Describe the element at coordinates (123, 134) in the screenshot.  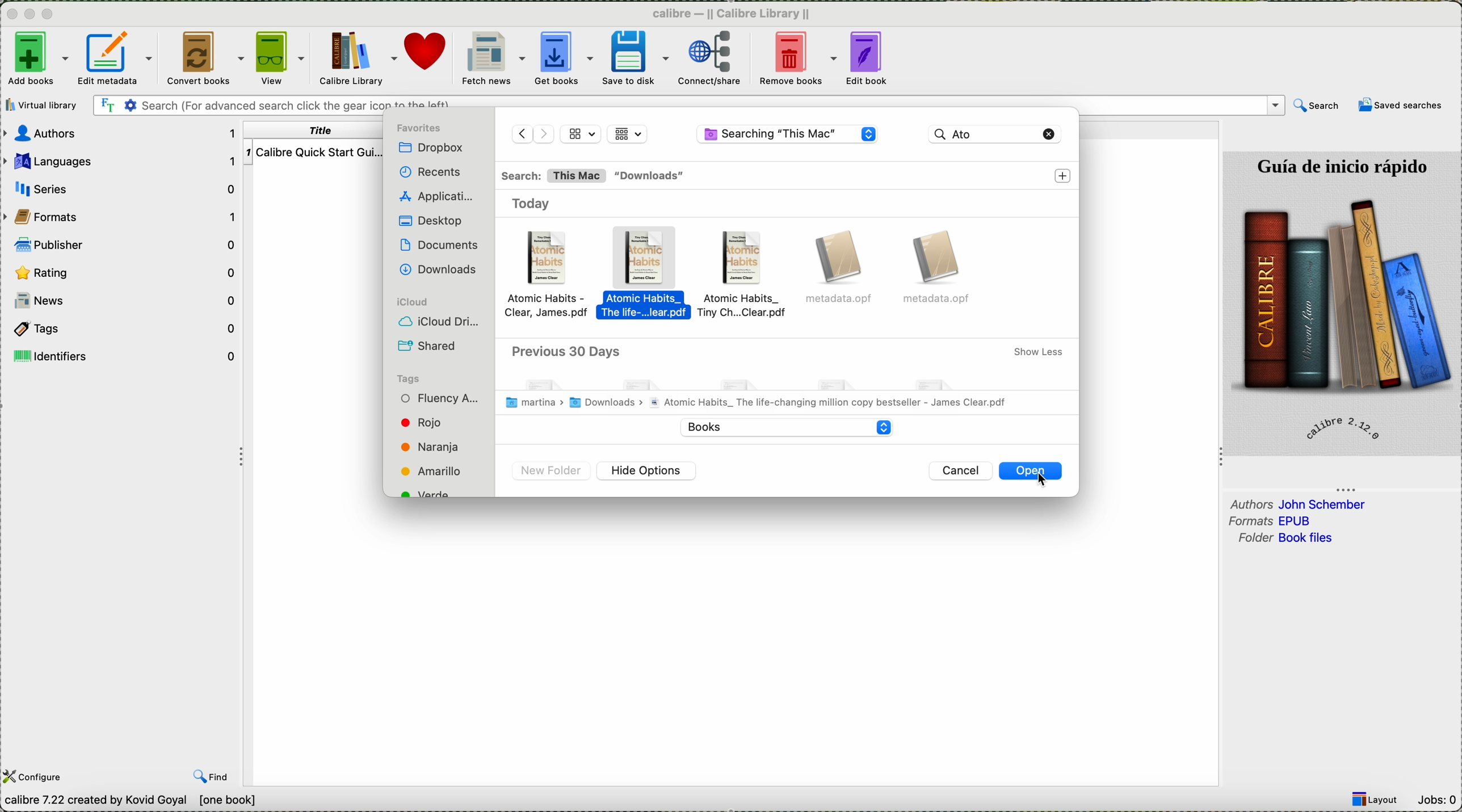
I see `authors` at that location.